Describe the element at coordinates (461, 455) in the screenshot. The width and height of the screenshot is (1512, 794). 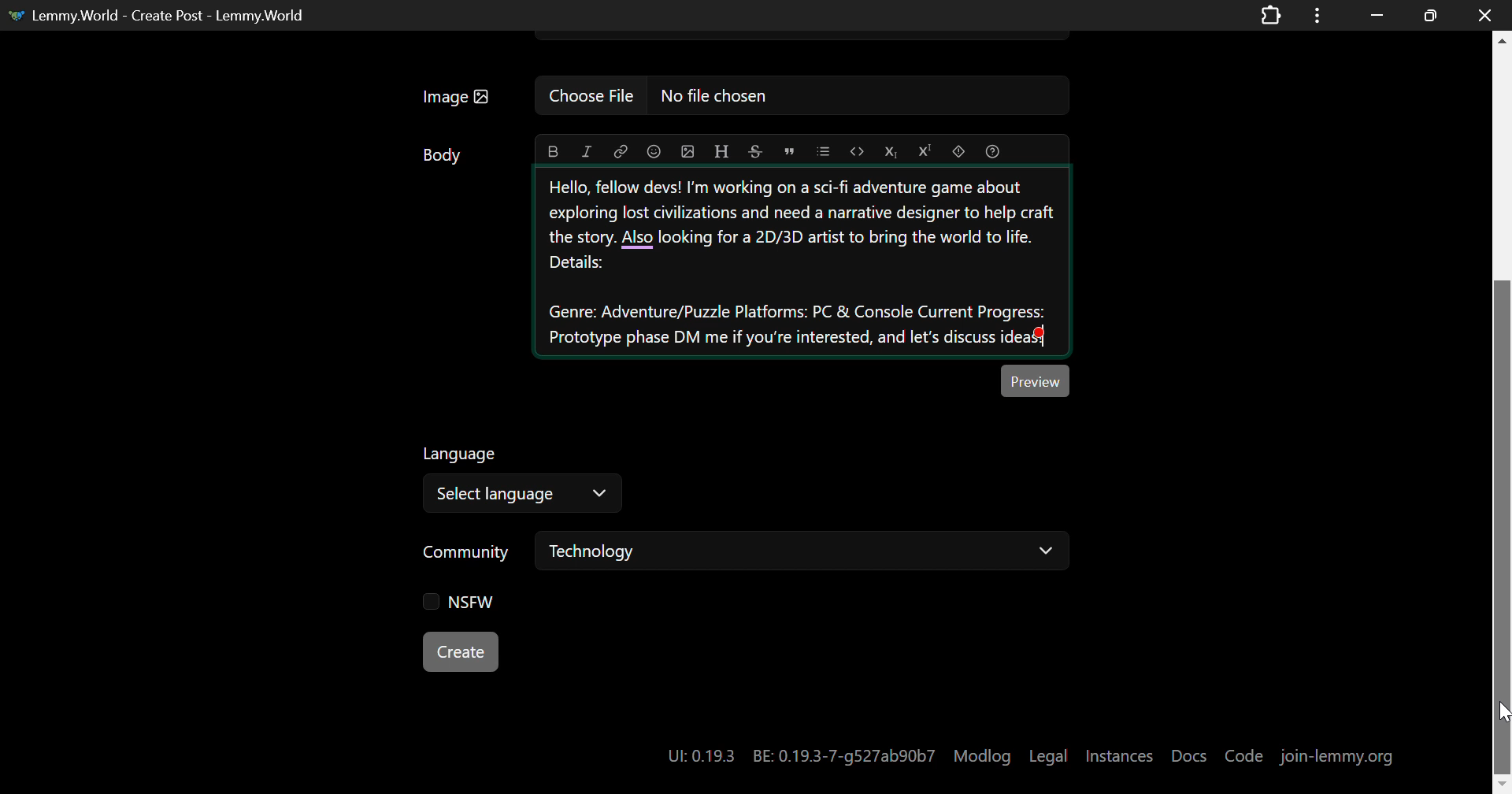
I see `Language` at that location.